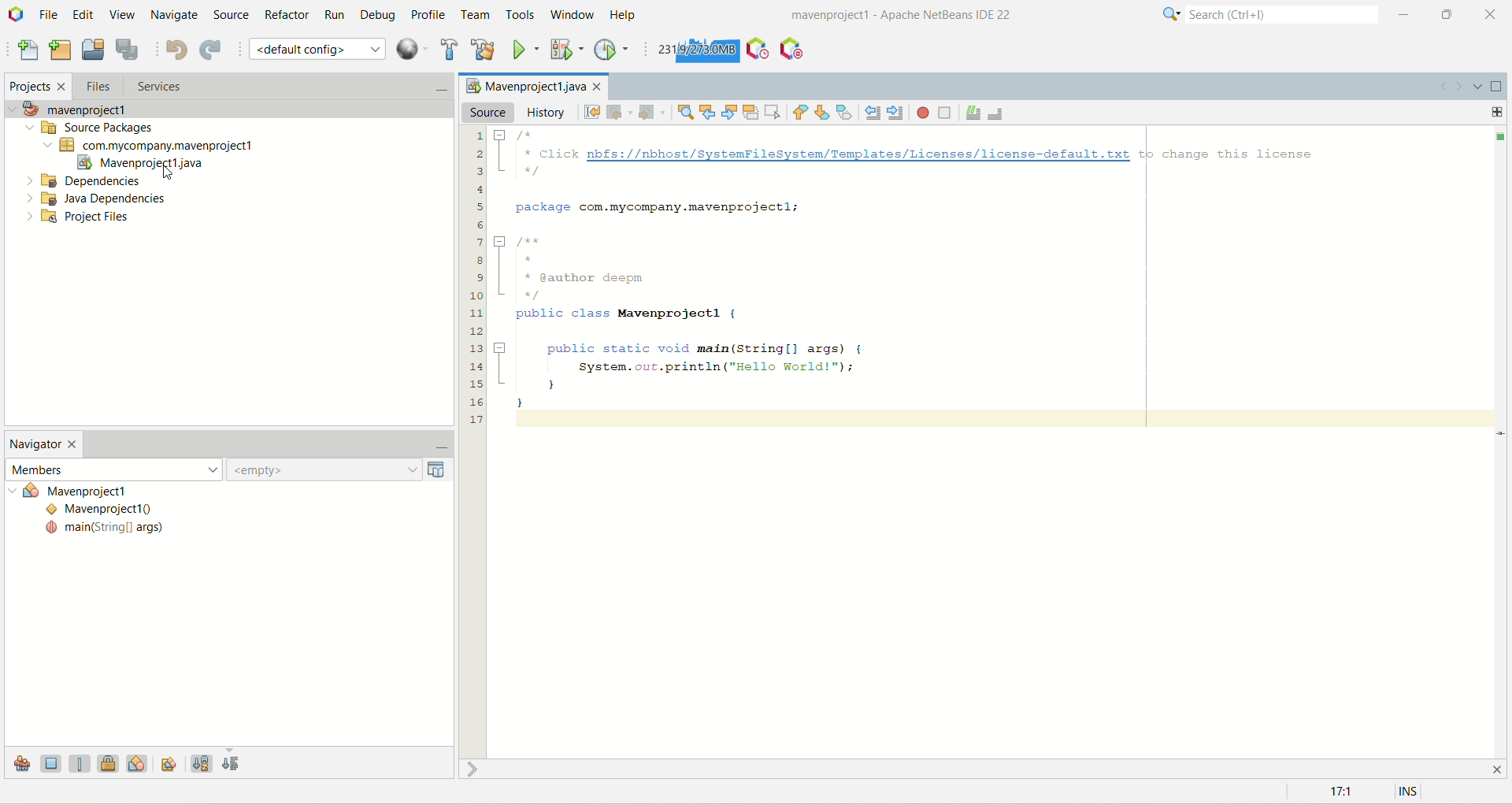  I want to click on public static void main(String[] args) {System. out.println("Hello World!");}}, so click(684, 374).